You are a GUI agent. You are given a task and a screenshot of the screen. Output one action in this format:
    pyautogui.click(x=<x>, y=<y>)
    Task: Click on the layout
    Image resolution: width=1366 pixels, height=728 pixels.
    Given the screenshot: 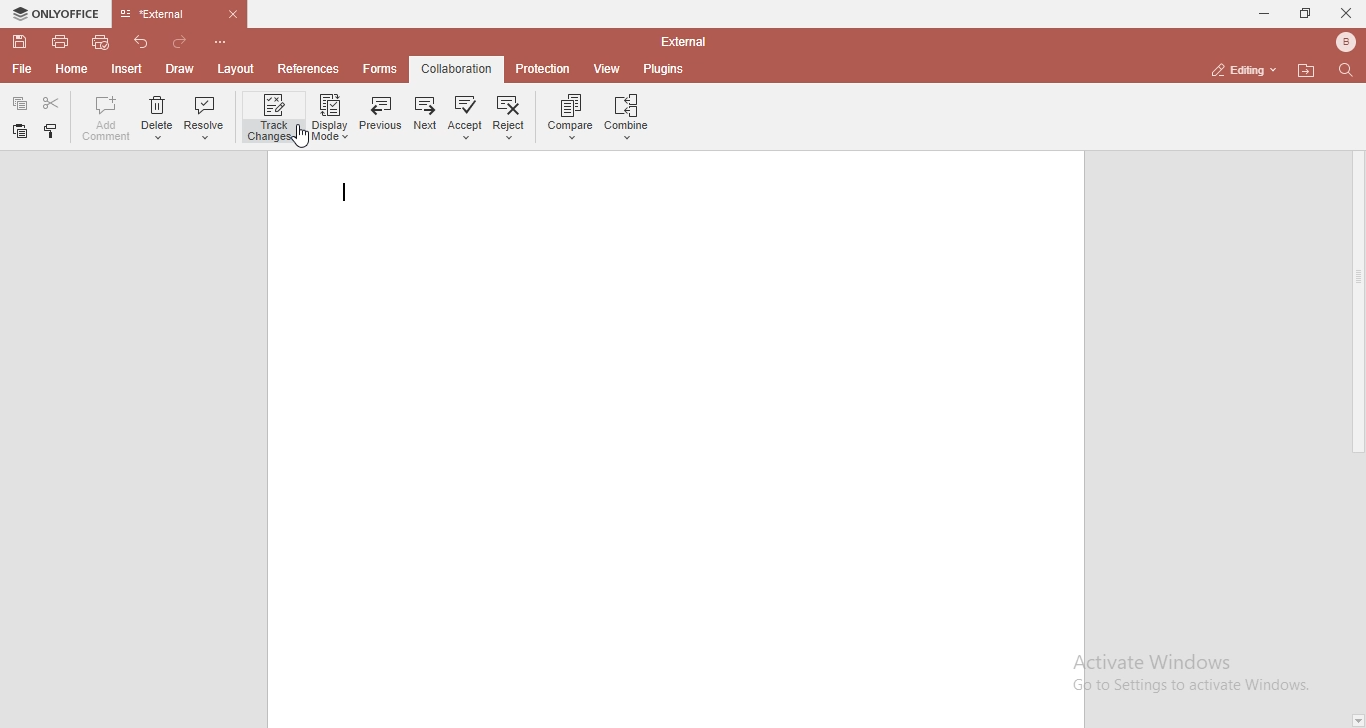 What is the action you would take?
    pyautogui.click(x=235, y=70)
    